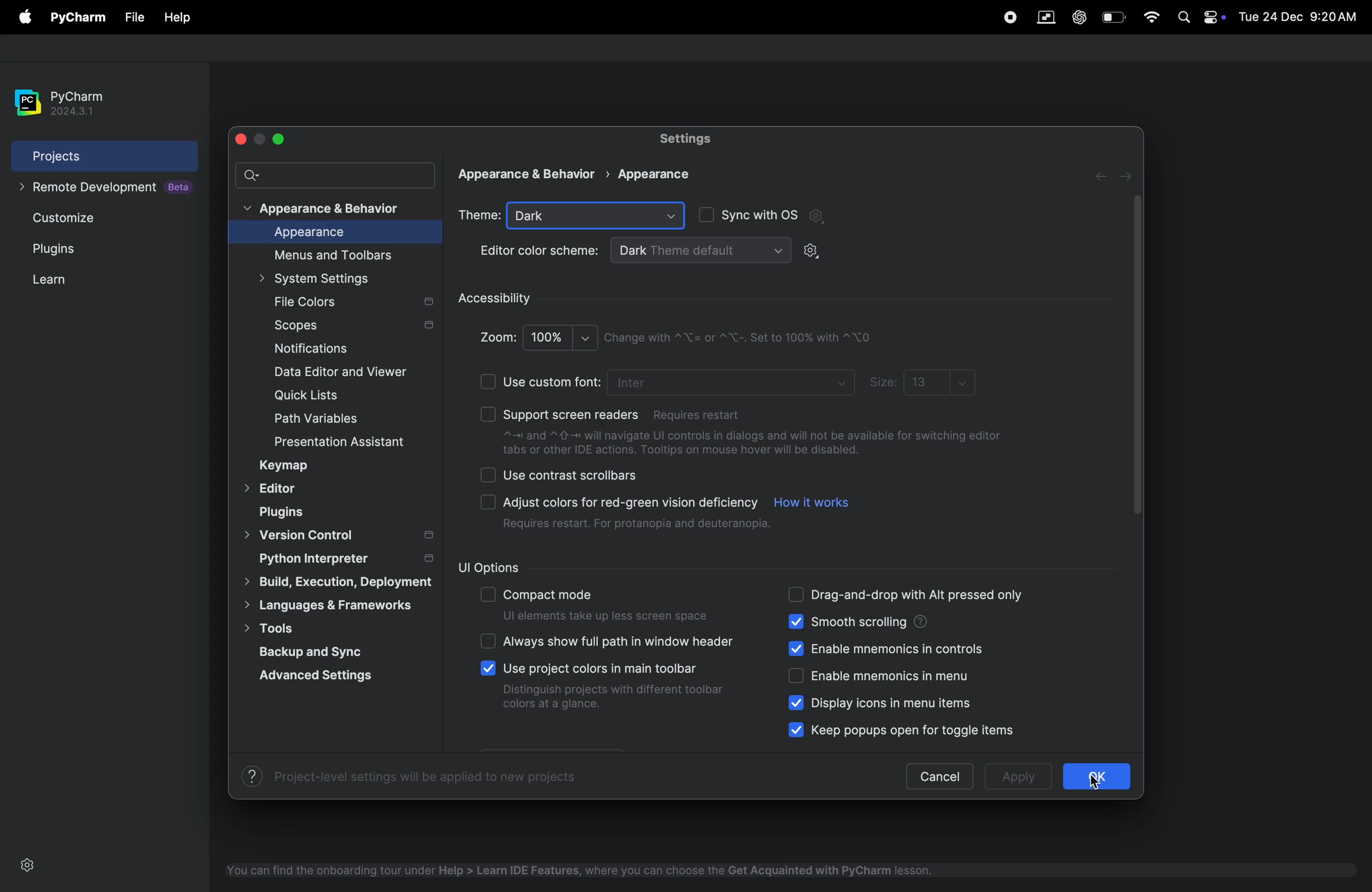 This screenshot has width=1372, height=892. I want to click on checkbox, so click(488, 414).